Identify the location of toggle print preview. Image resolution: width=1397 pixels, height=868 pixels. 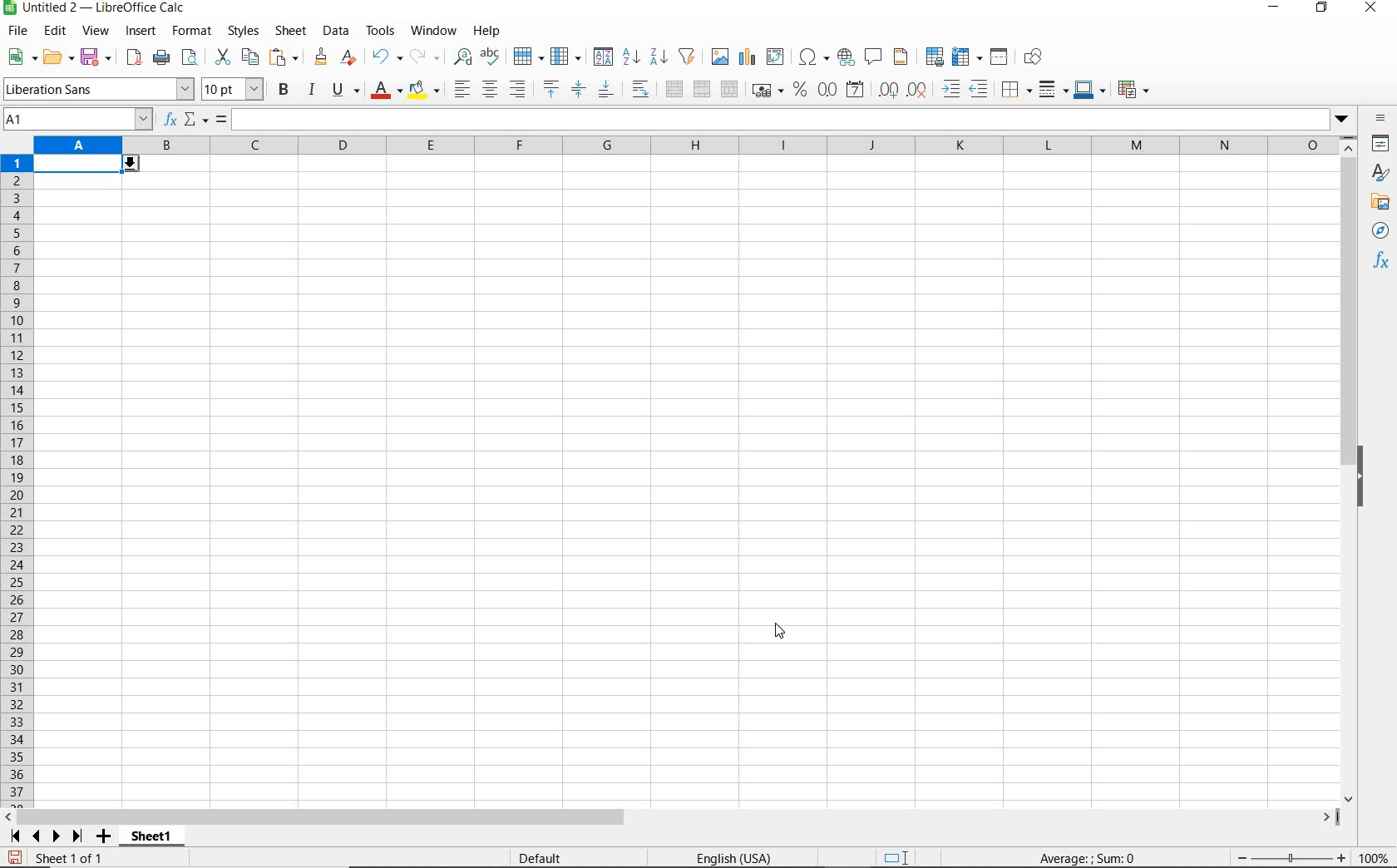
(192, 59).